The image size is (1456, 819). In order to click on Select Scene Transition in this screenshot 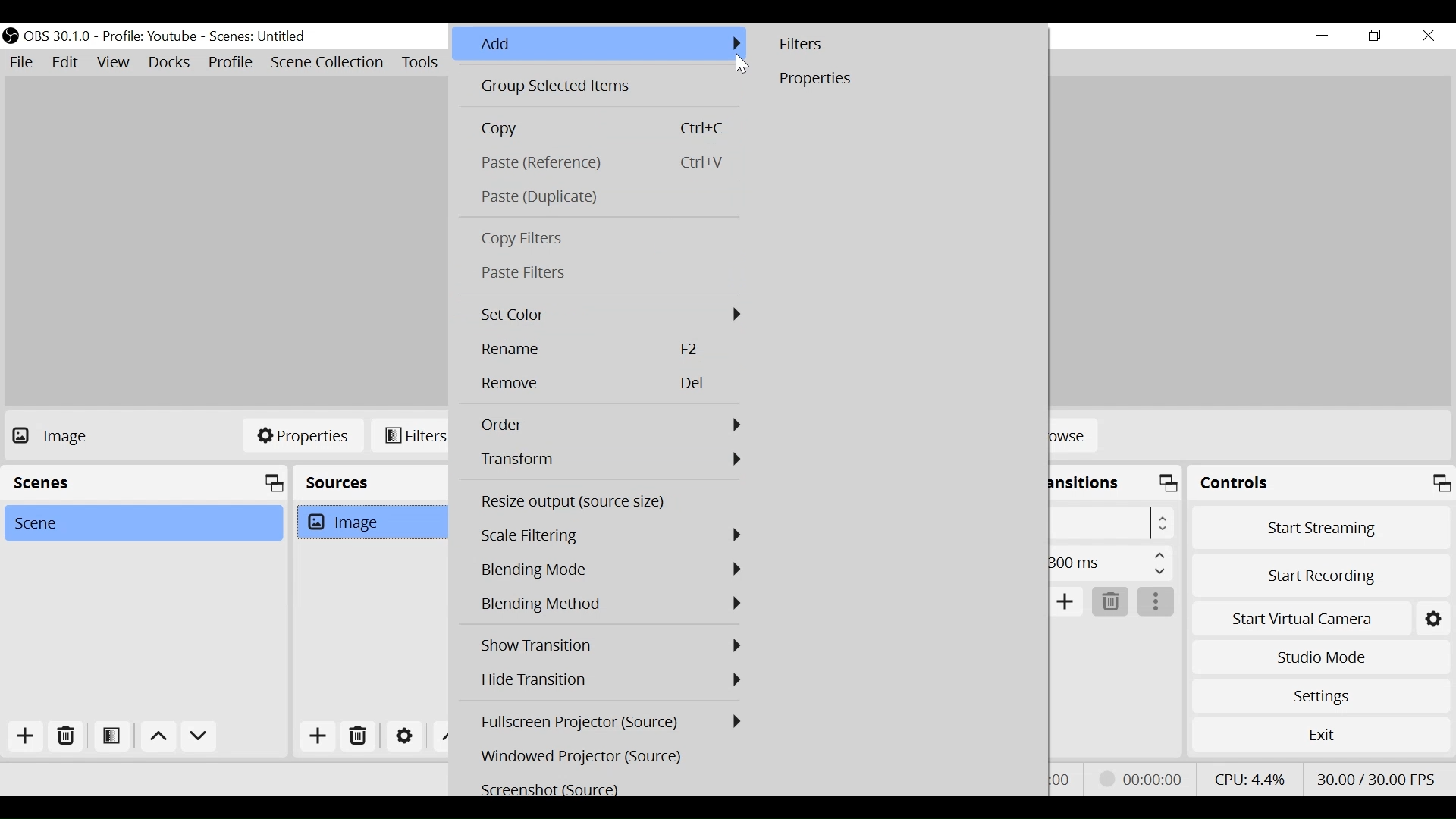, I will do `click(1109, 521)`.